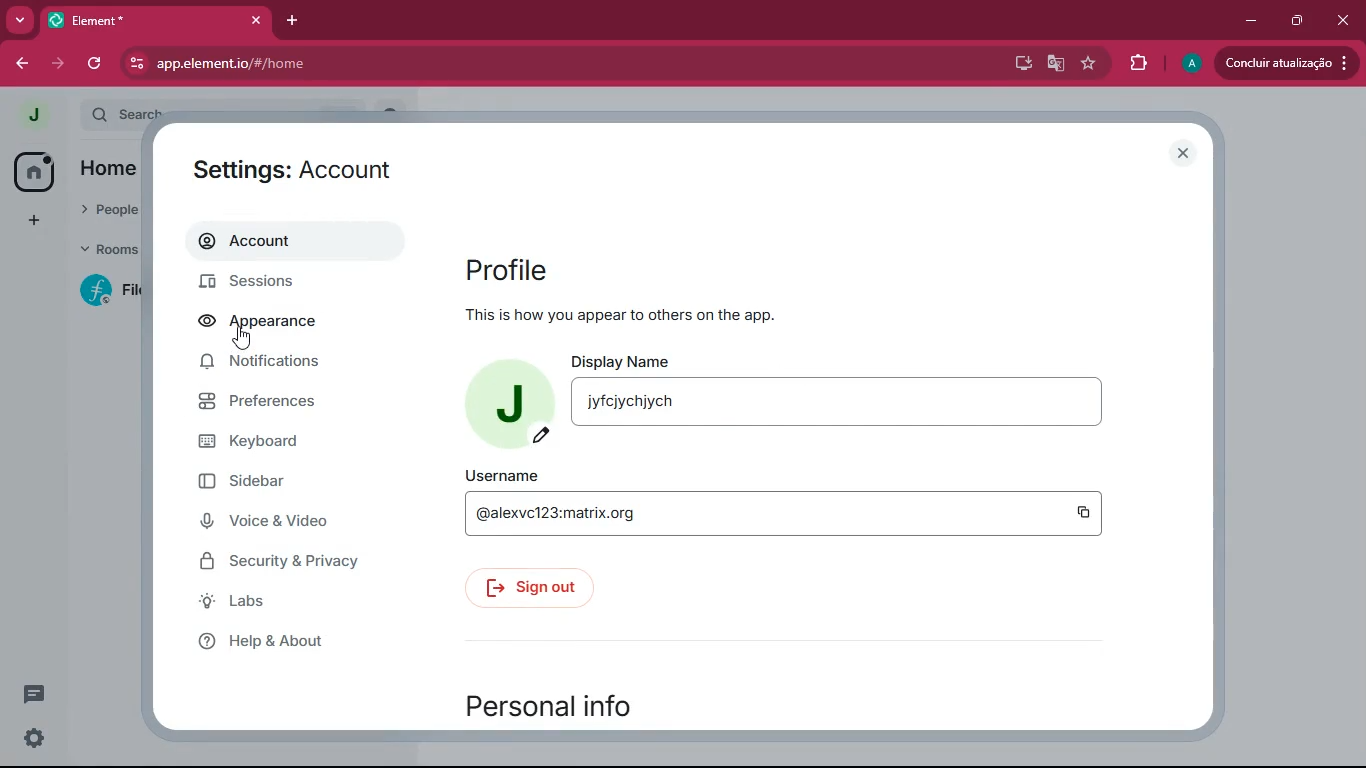  What do you see at coordinates (505, 475) in the screenshot?
I see `Username` at bounding box center [505, 475].